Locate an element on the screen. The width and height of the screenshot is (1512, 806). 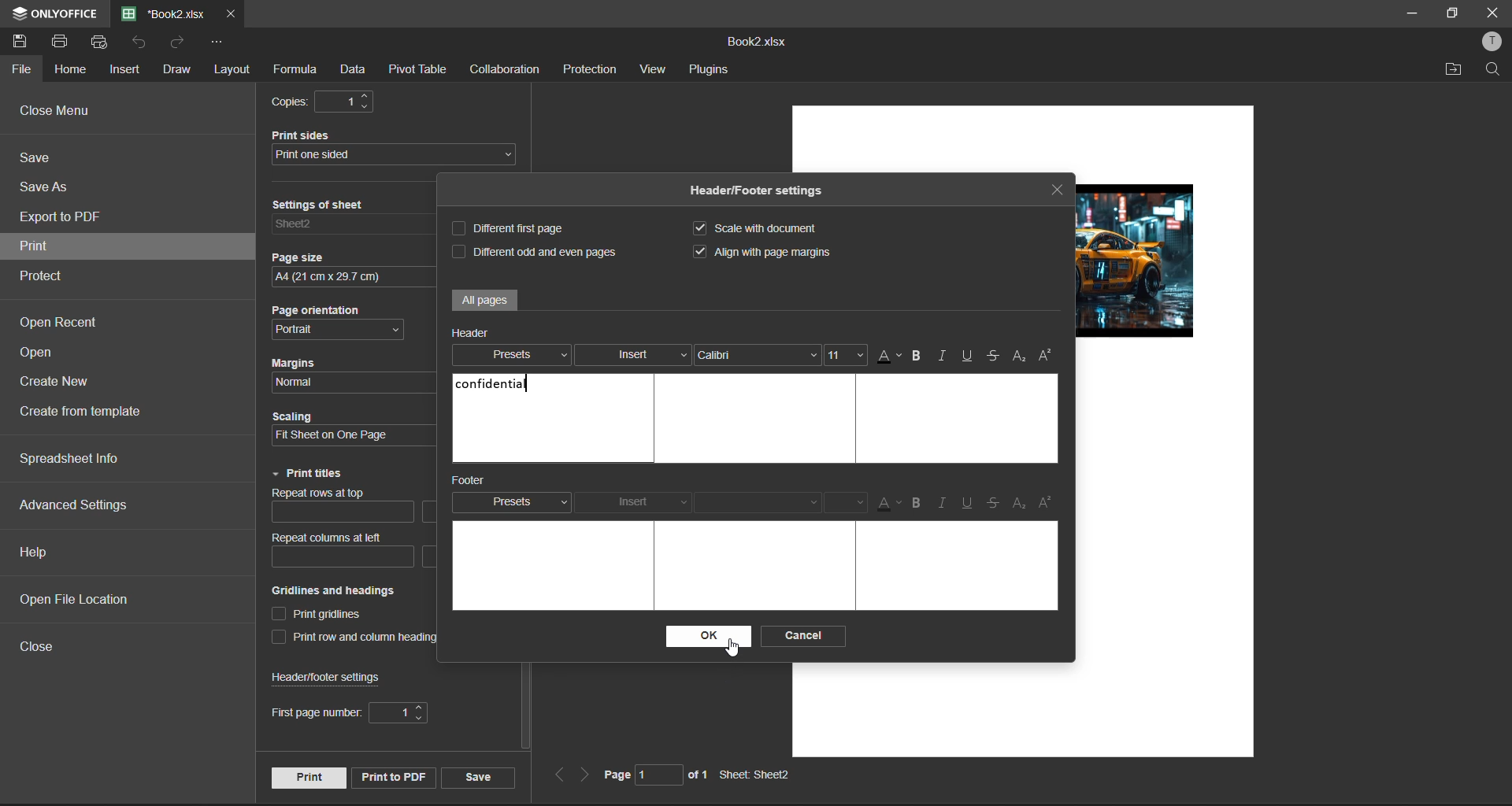
all pages is located at coordinates (485, 300).